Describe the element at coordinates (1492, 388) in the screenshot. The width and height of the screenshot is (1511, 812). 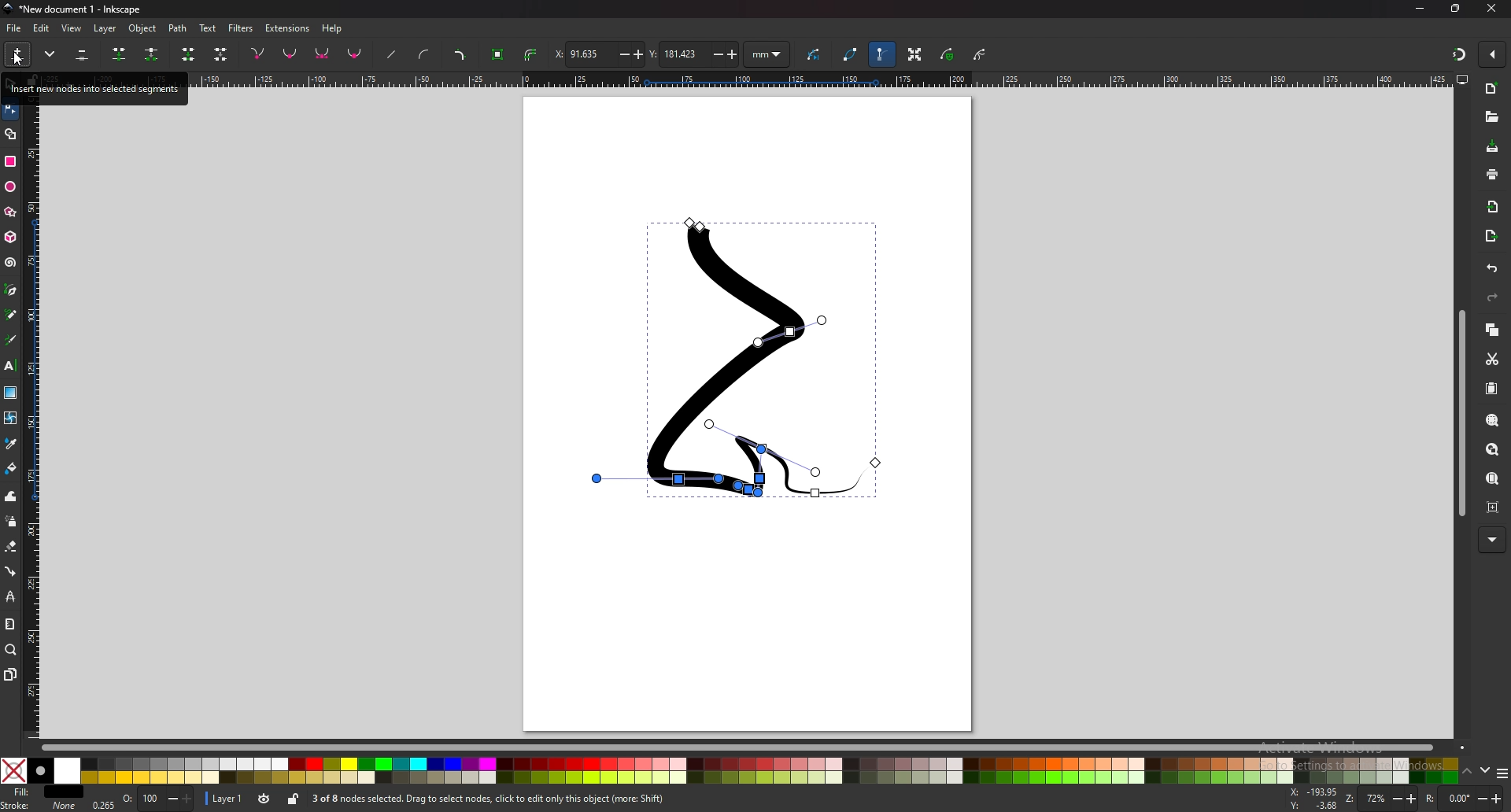
I see `paste` at that location.